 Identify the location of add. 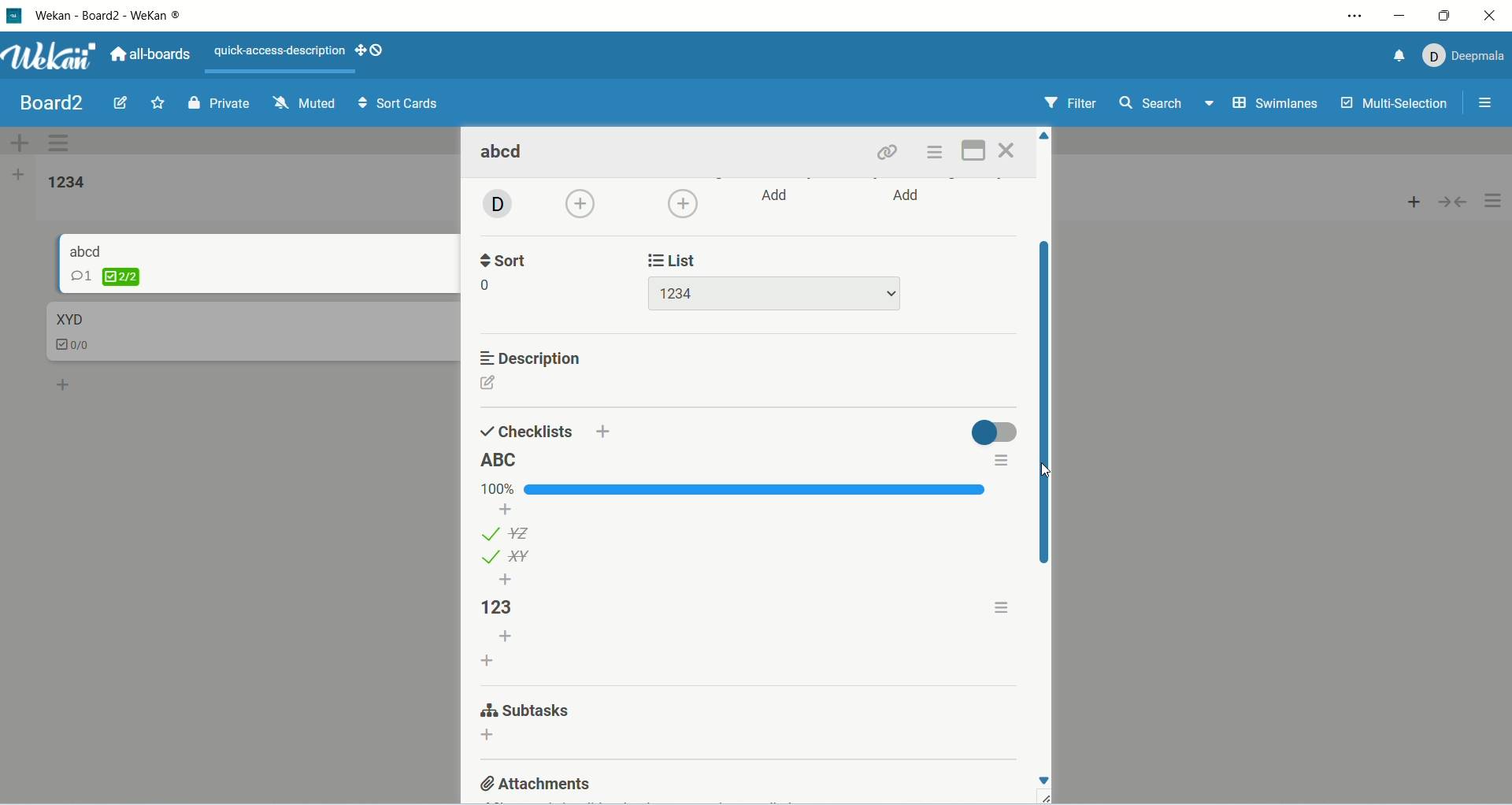
(777, 195).